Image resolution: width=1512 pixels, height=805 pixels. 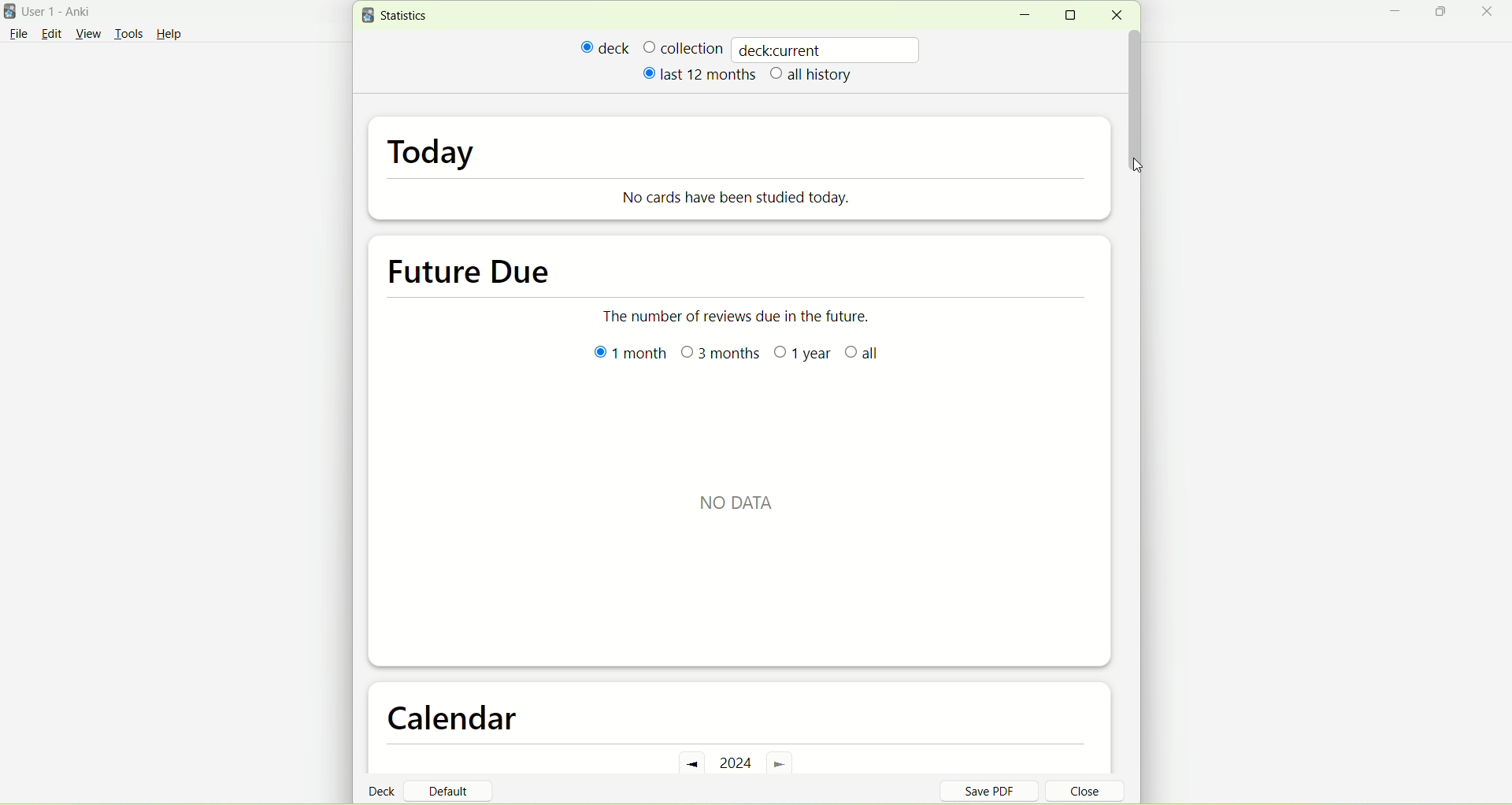 What do you see at coordinates (630, 358) in the screenshot?
I see `1 month` at bounding box center [630, 358].